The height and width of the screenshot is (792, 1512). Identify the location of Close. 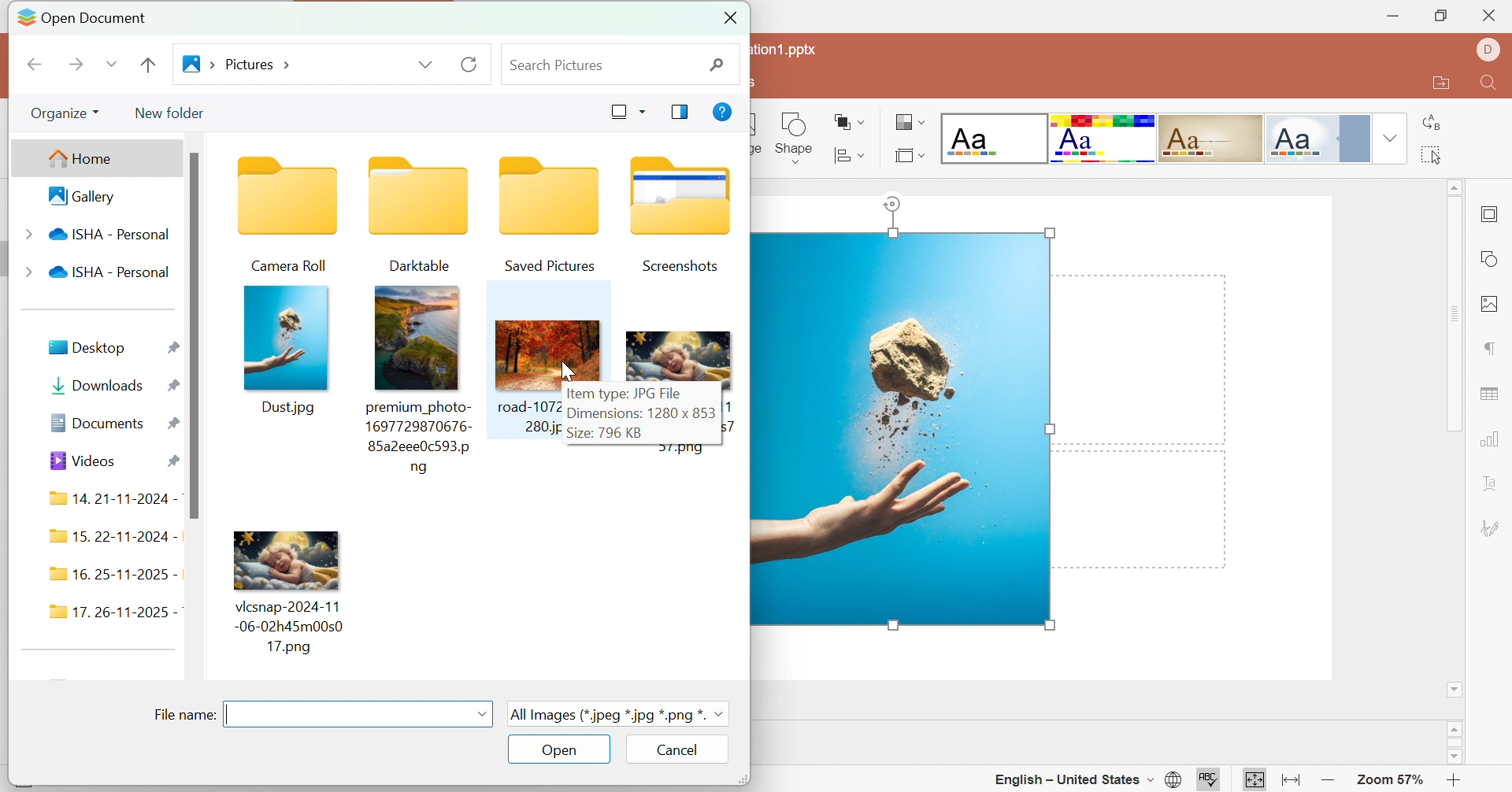
(1492, 14).